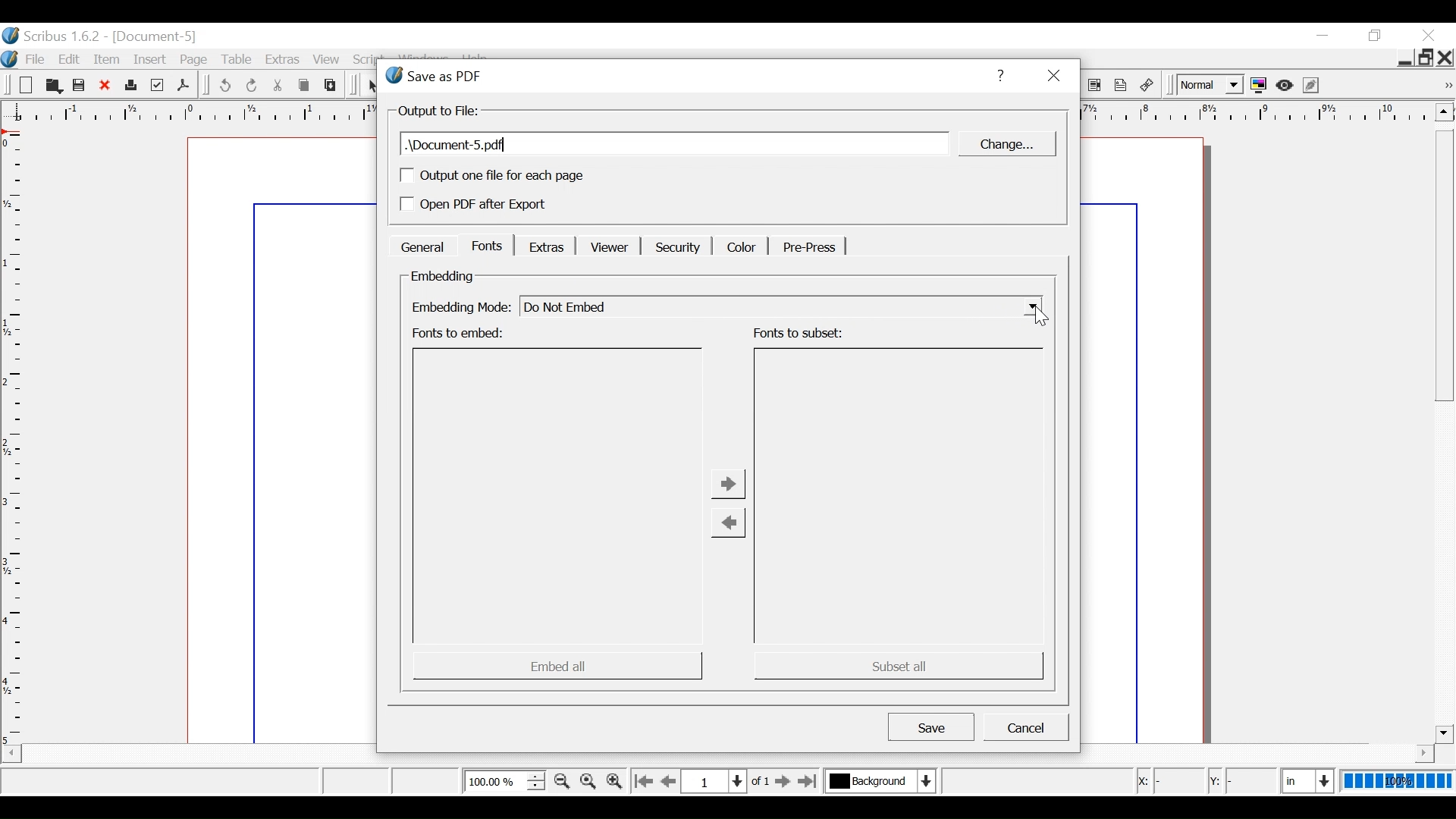  Describe the element at coordinates (240, 61) in the screenshot. I see `Table` at that location.